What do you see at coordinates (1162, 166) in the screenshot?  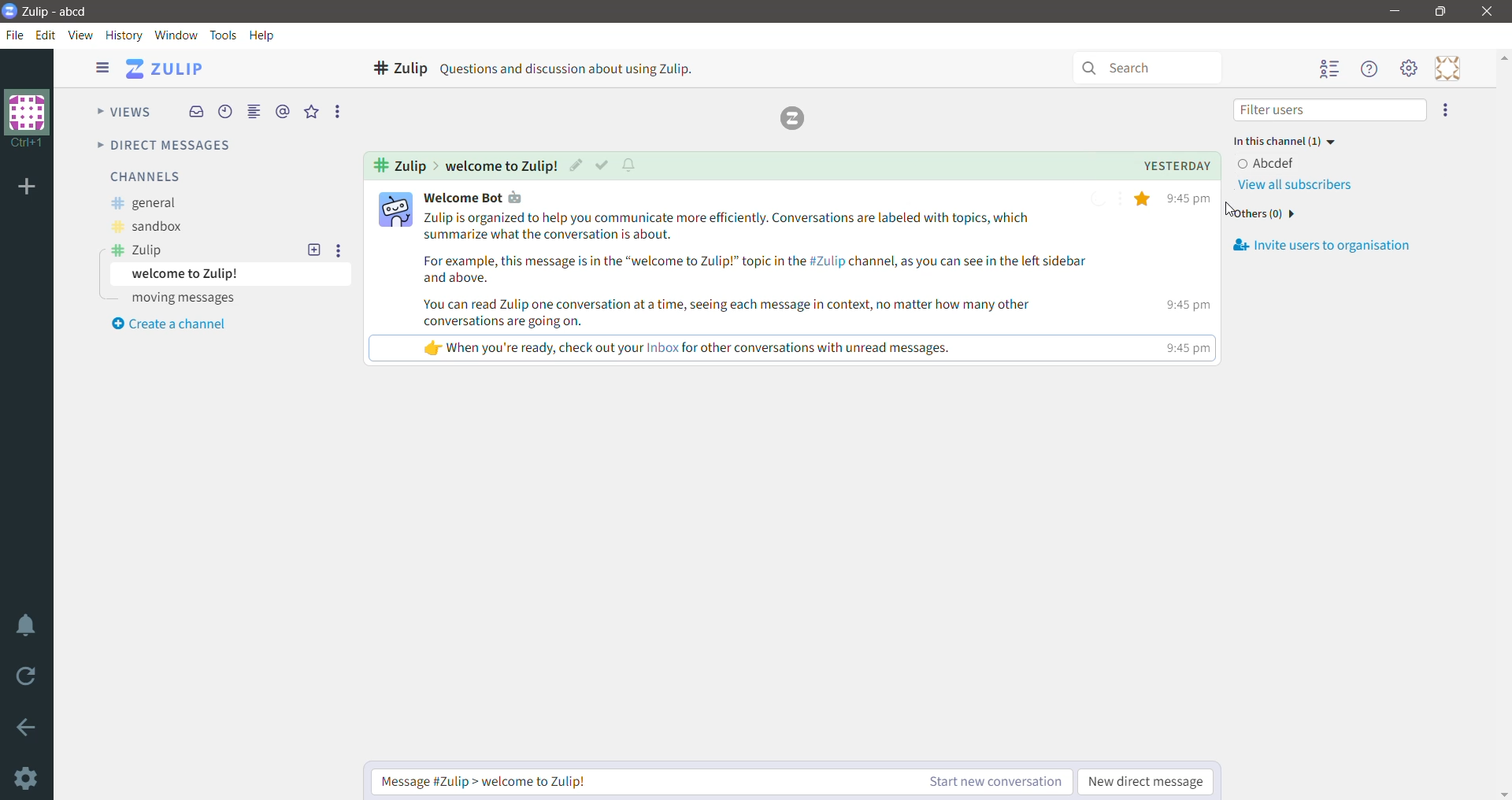 I see `Message date and time` at bounding box center [1162, 166].